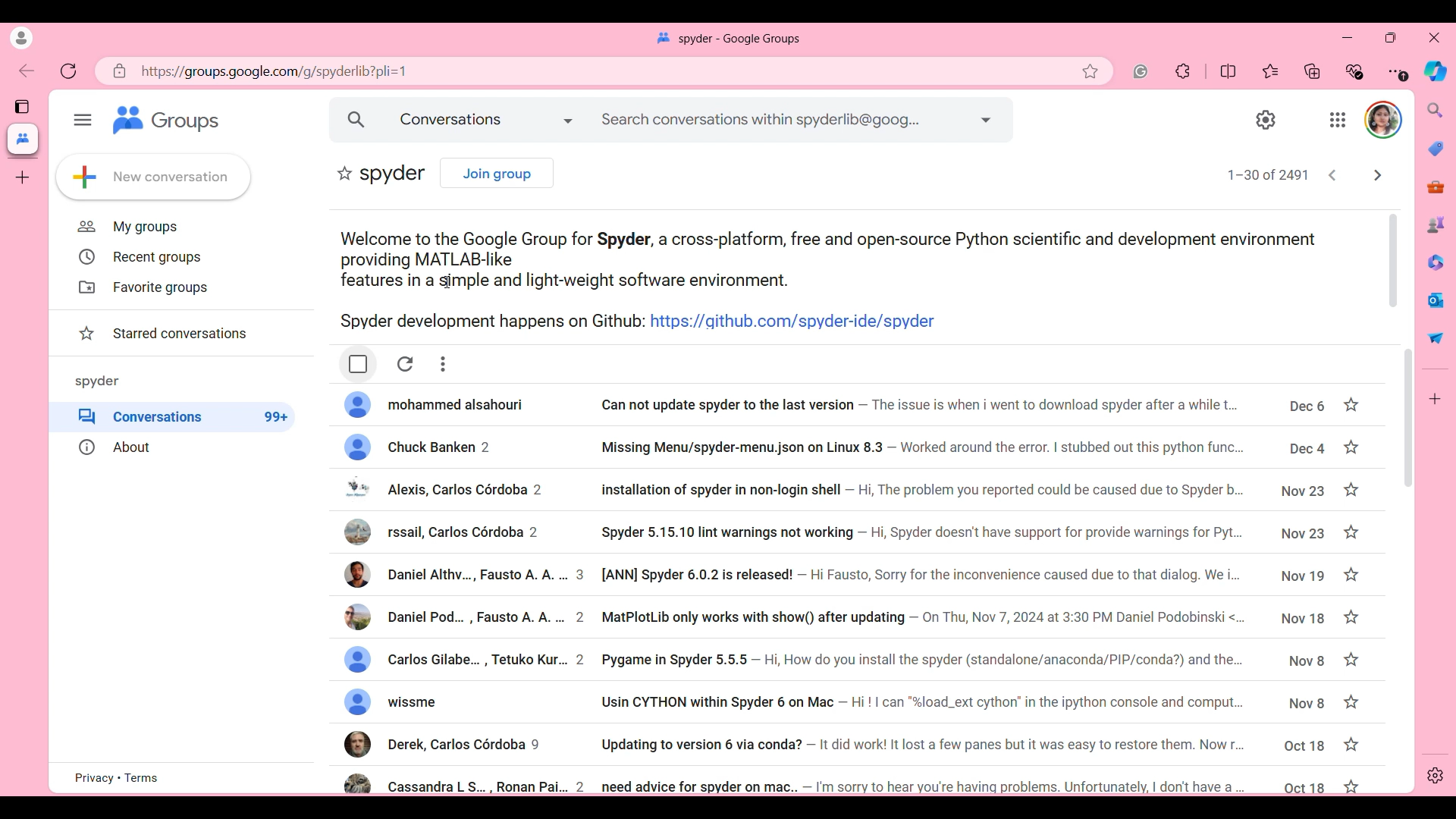 Image resolution: width=1456 pixels, height=819 pixels. I want to click on Privacy terms, so click(117, 777).